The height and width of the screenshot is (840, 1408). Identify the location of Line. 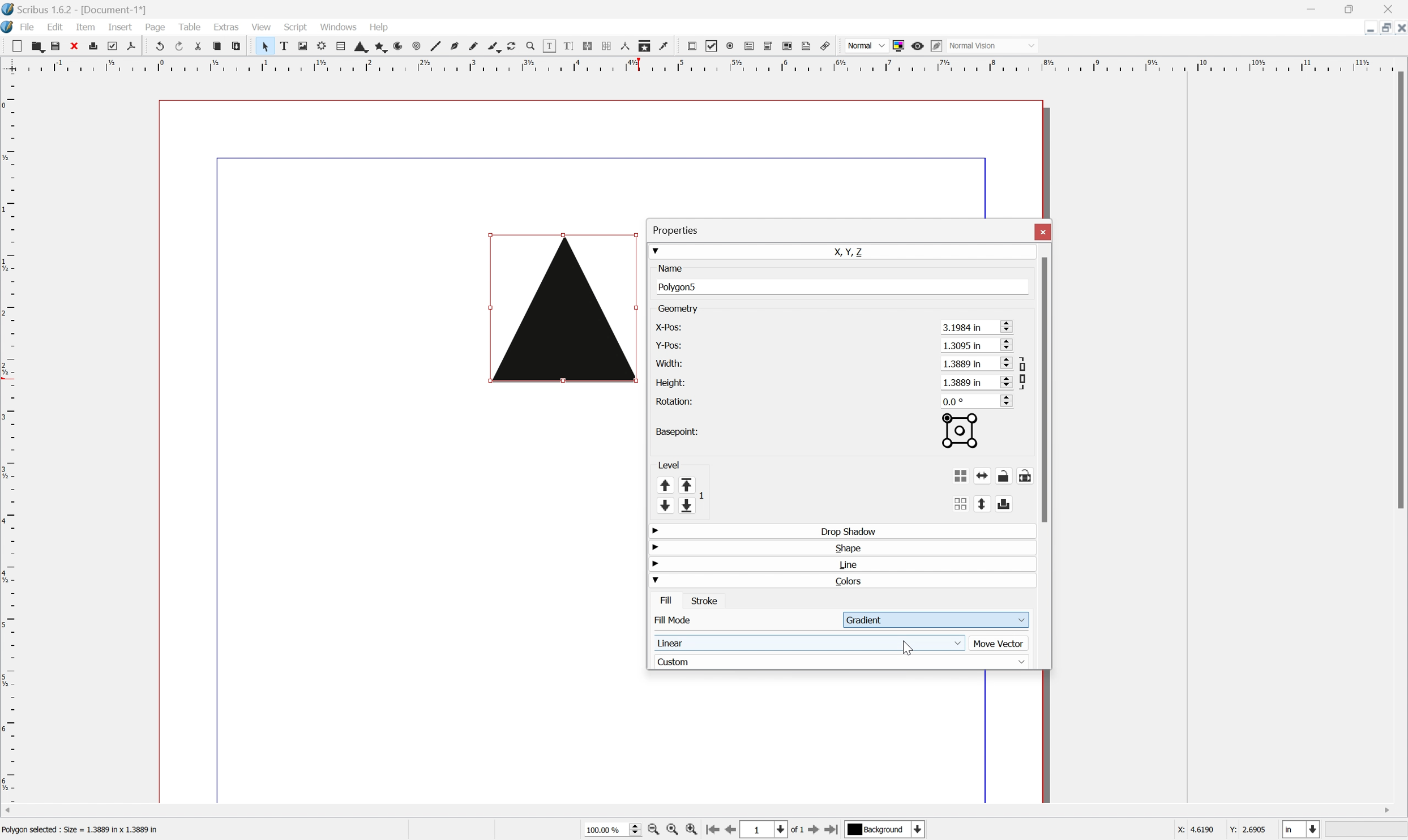
(434, 46).